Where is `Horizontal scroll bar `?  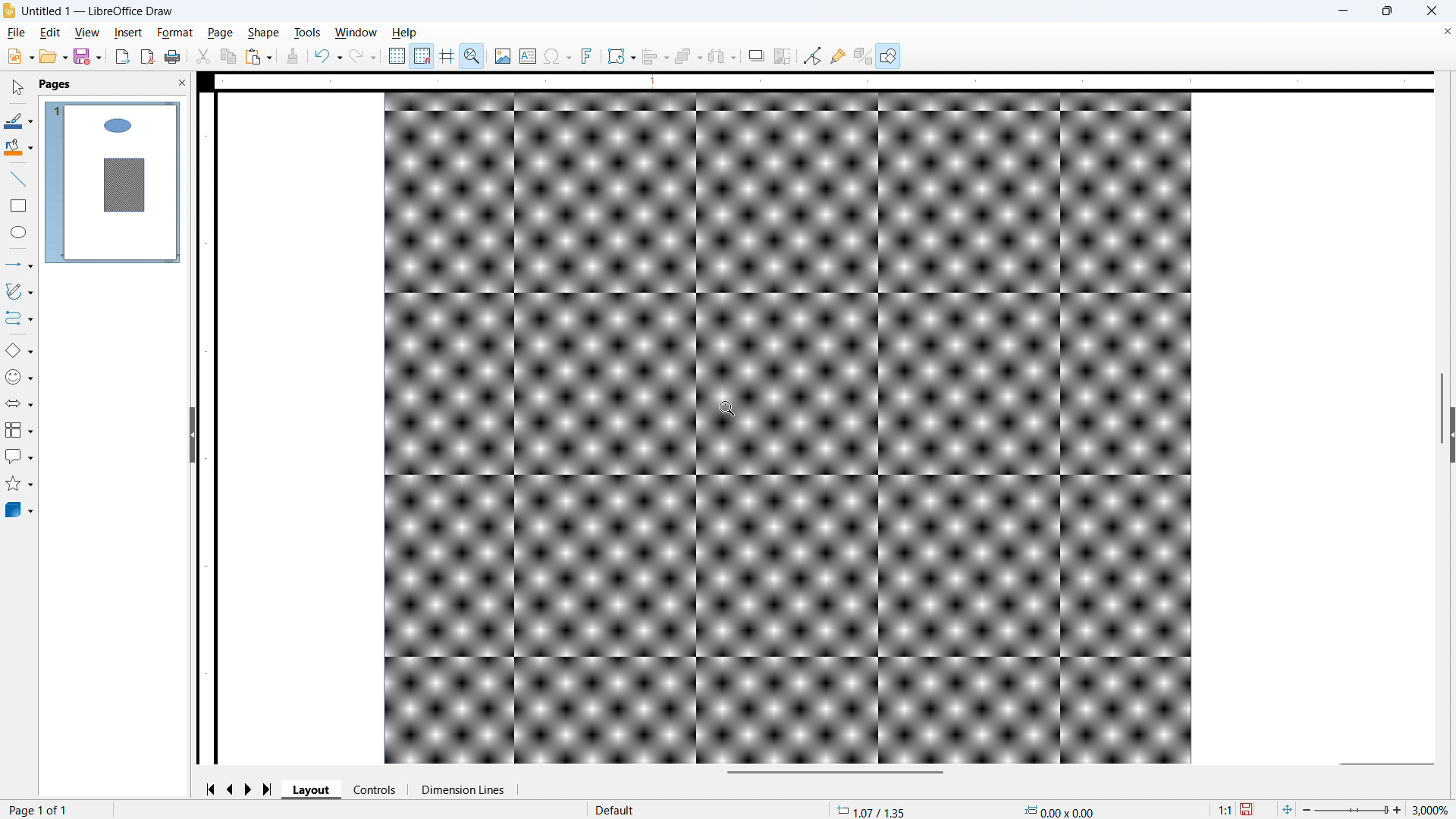 Horizontal scroll bar  is located at coordinates (834, 773).